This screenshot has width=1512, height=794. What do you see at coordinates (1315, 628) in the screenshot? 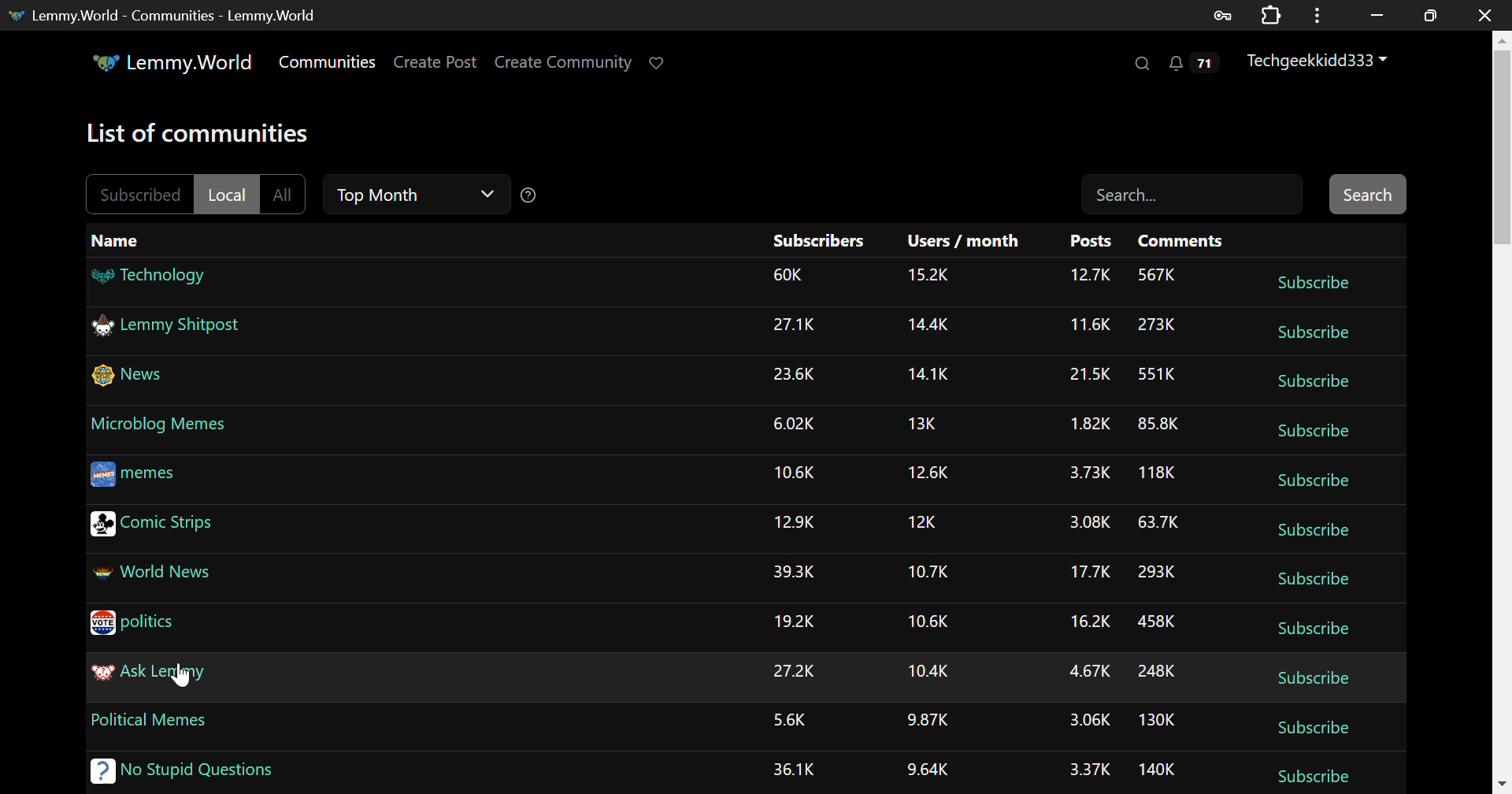
I see `Subscribe` at bounding box center [1315, 628].